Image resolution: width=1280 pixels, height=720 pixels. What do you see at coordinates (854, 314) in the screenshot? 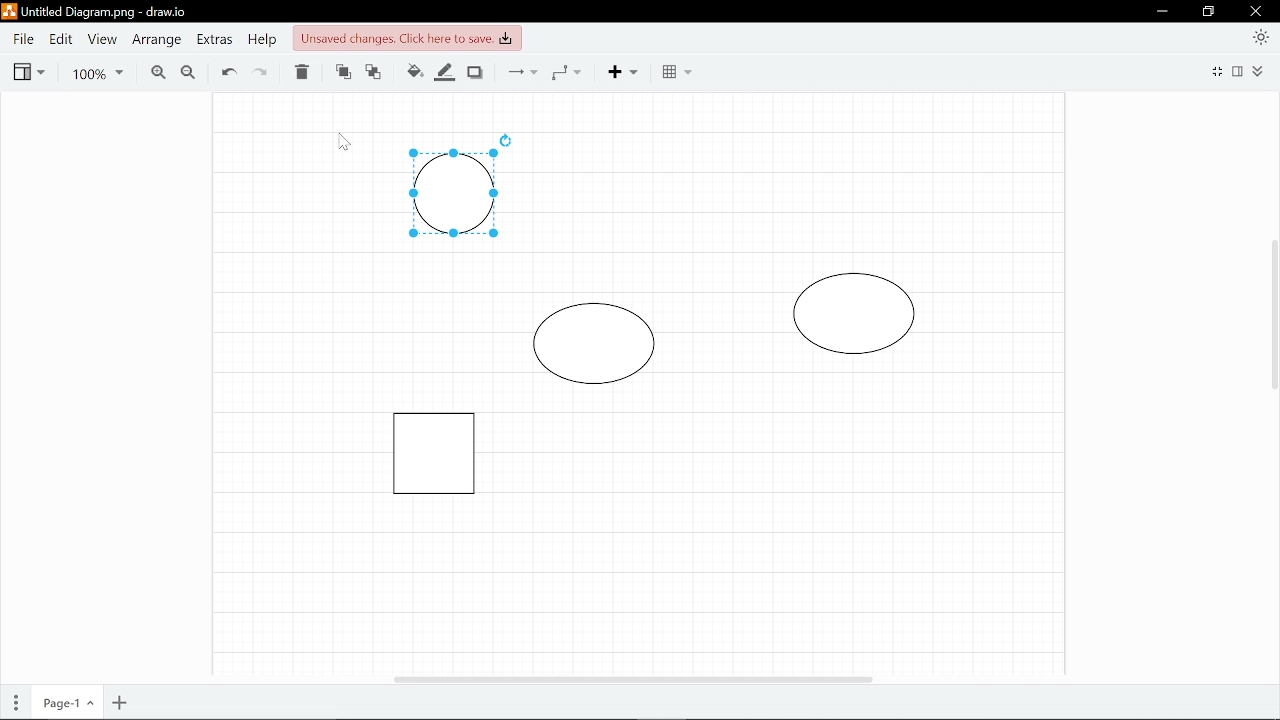
I see `Diagram` at bounding box center [854, 314].